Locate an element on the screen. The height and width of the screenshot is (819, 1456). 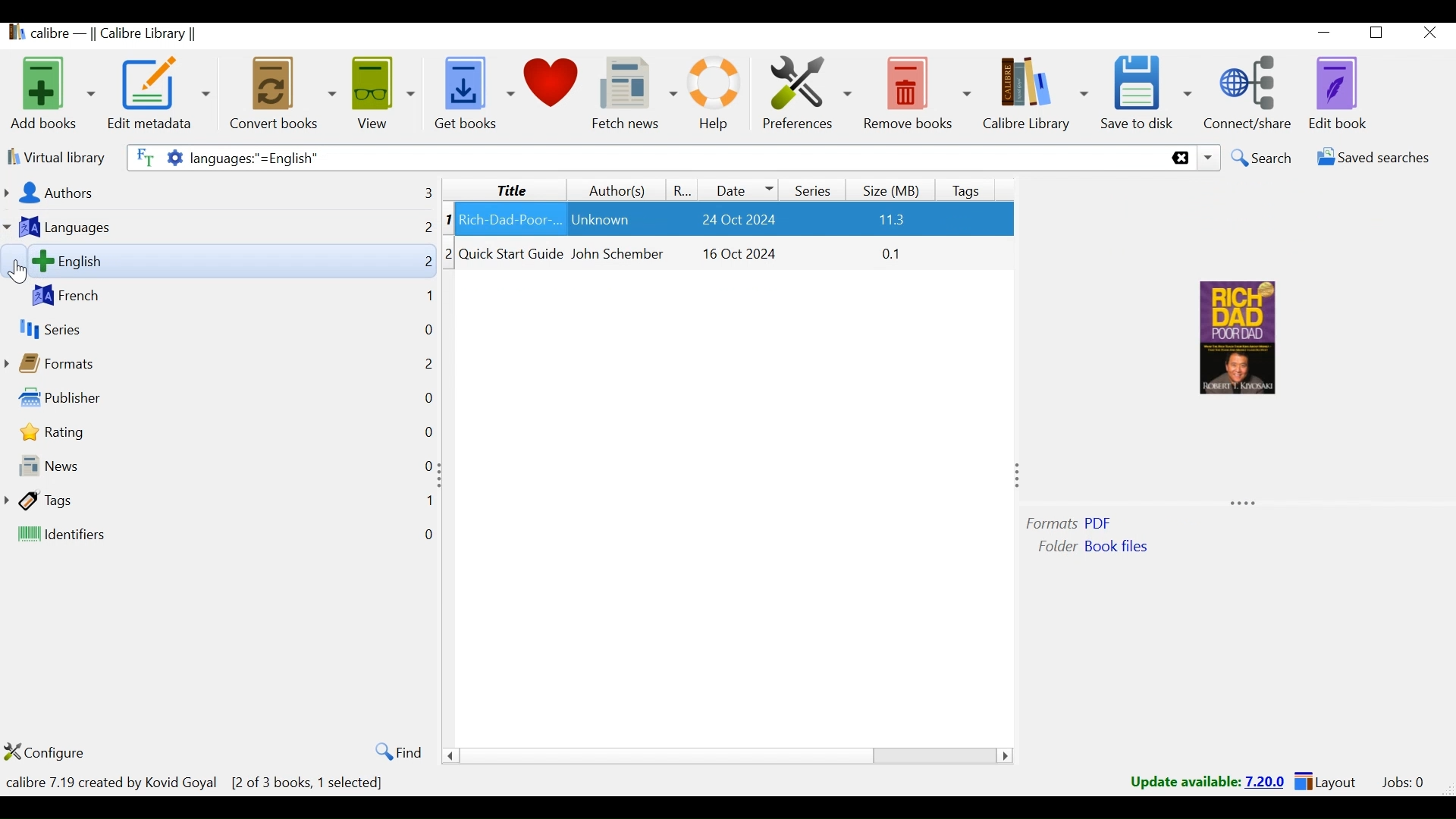
Add Books is located at coordinates (52, 92).